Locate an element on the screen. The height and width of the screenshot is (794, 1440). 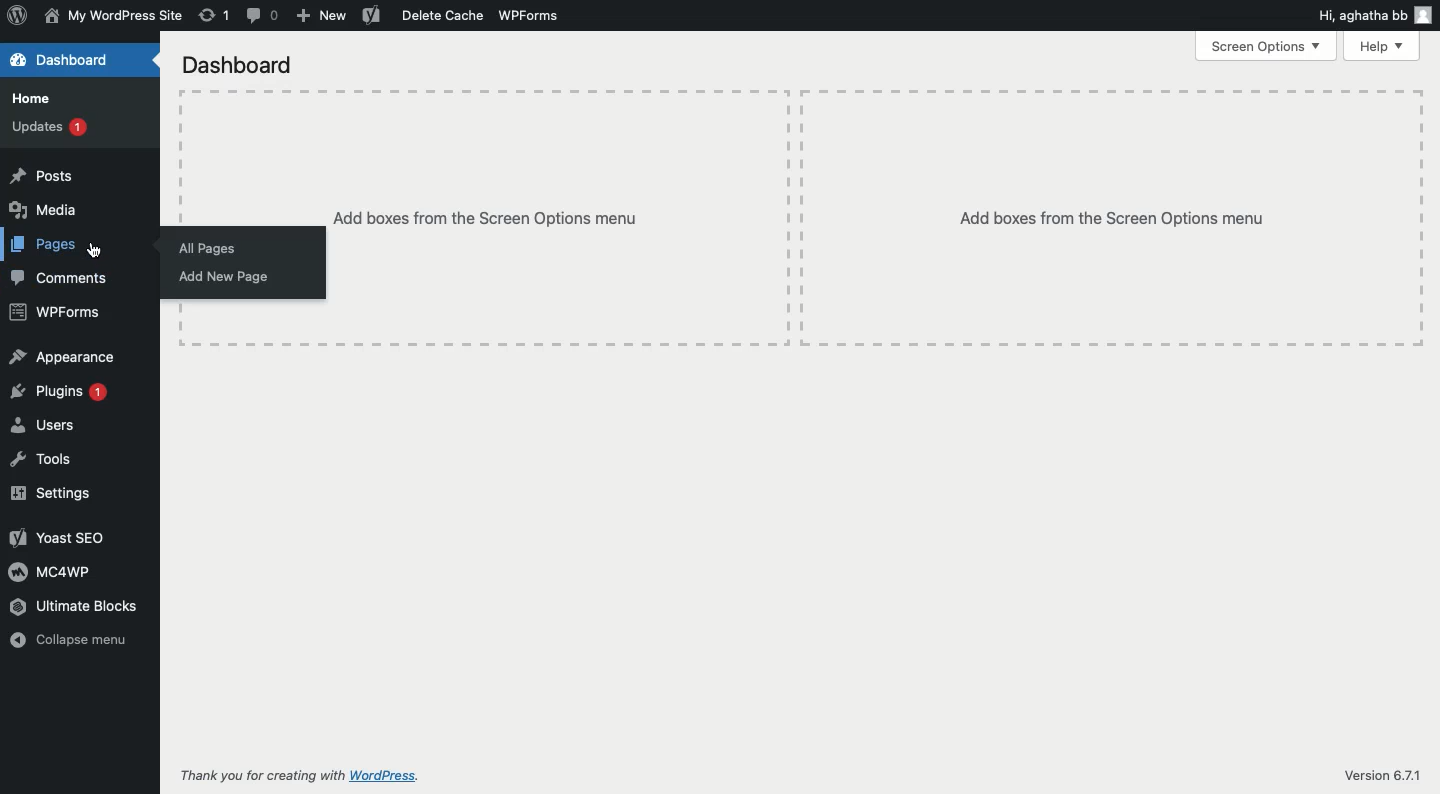
Add new page is located at coordinates (224, 277).